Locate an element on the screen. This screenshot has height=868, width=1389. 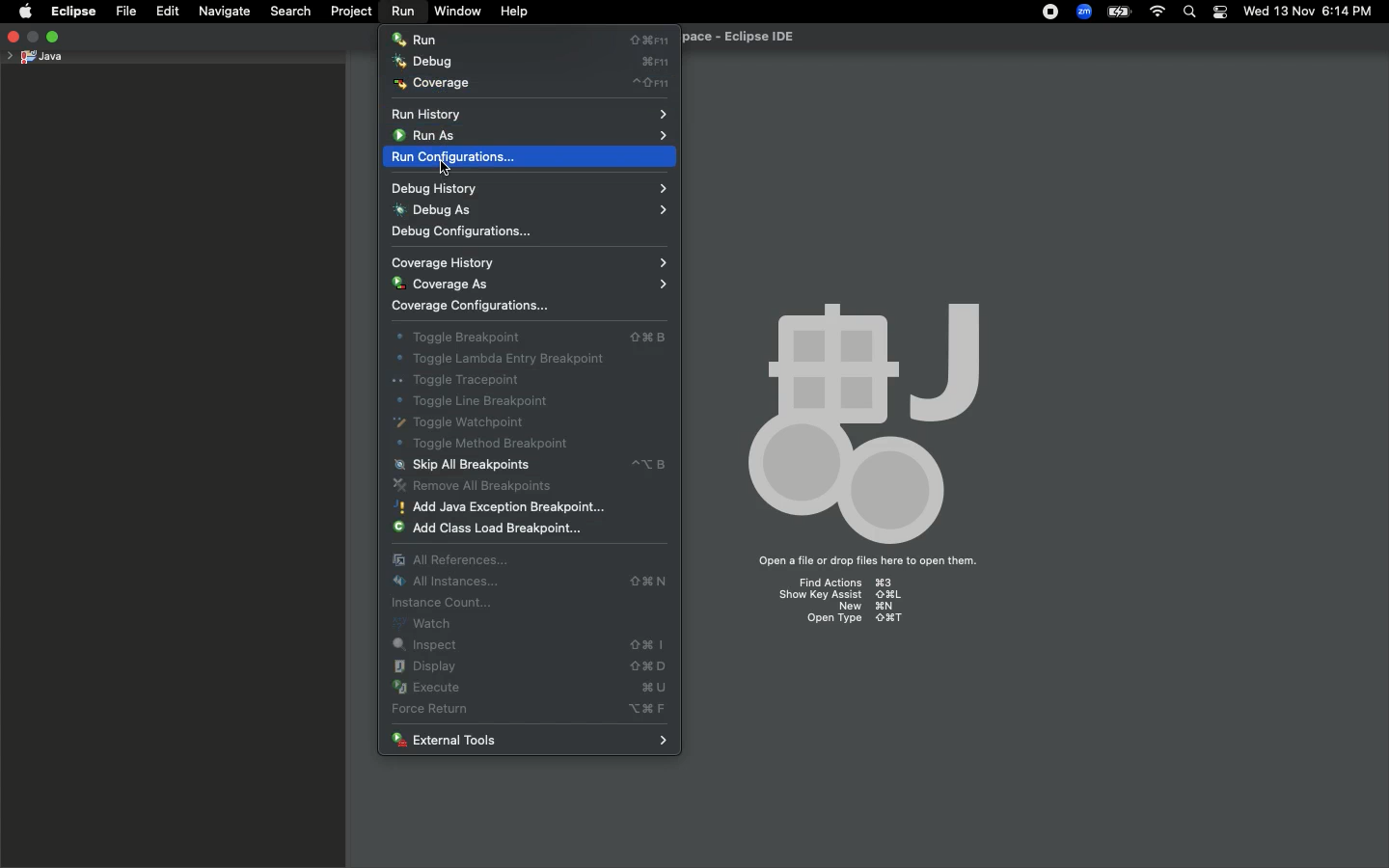
Execute is located at coordinates (529, 688).